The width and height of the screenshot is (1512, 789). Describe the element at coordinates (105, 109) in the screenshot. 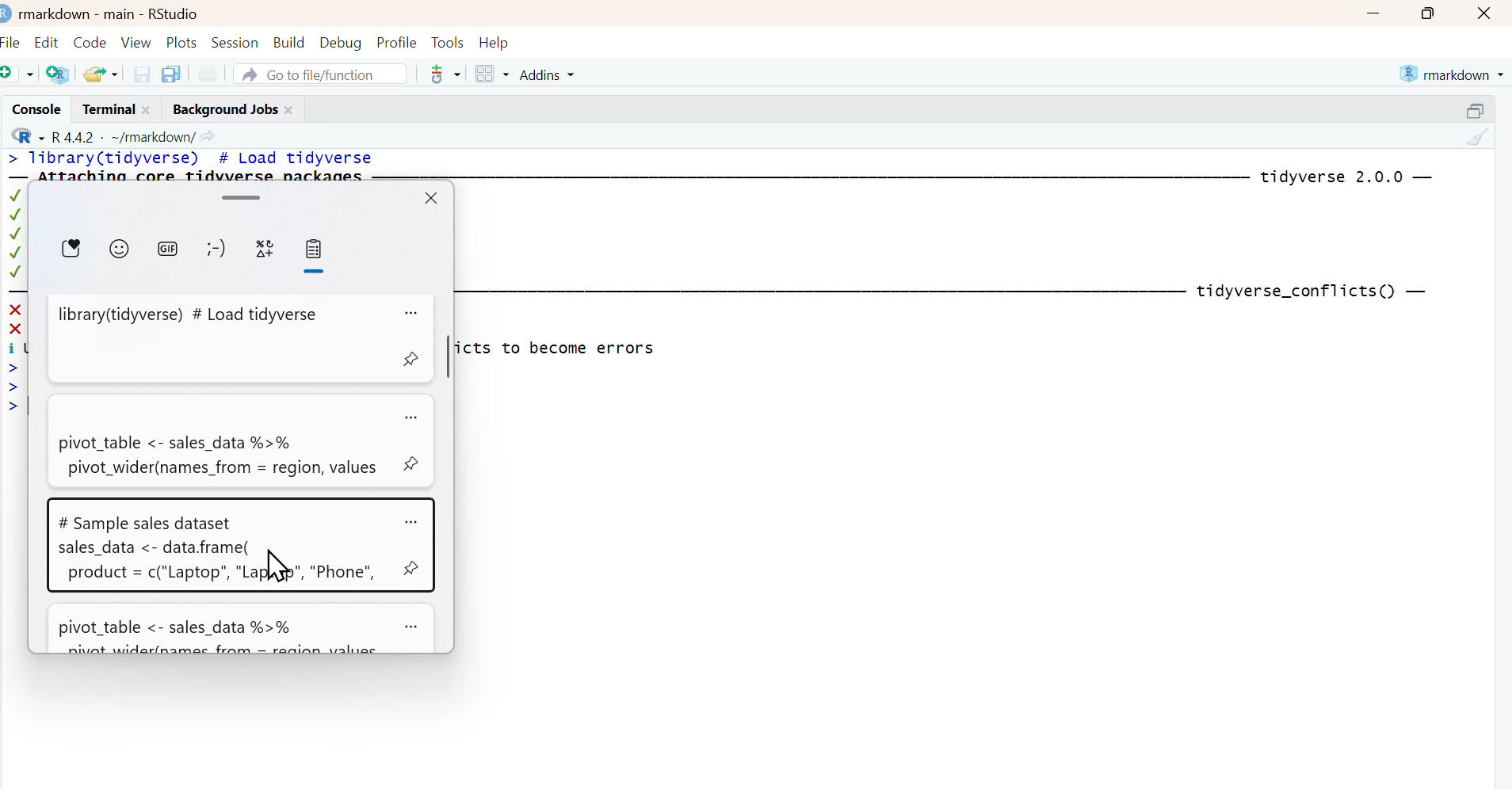

I see `Terminal` at that location.